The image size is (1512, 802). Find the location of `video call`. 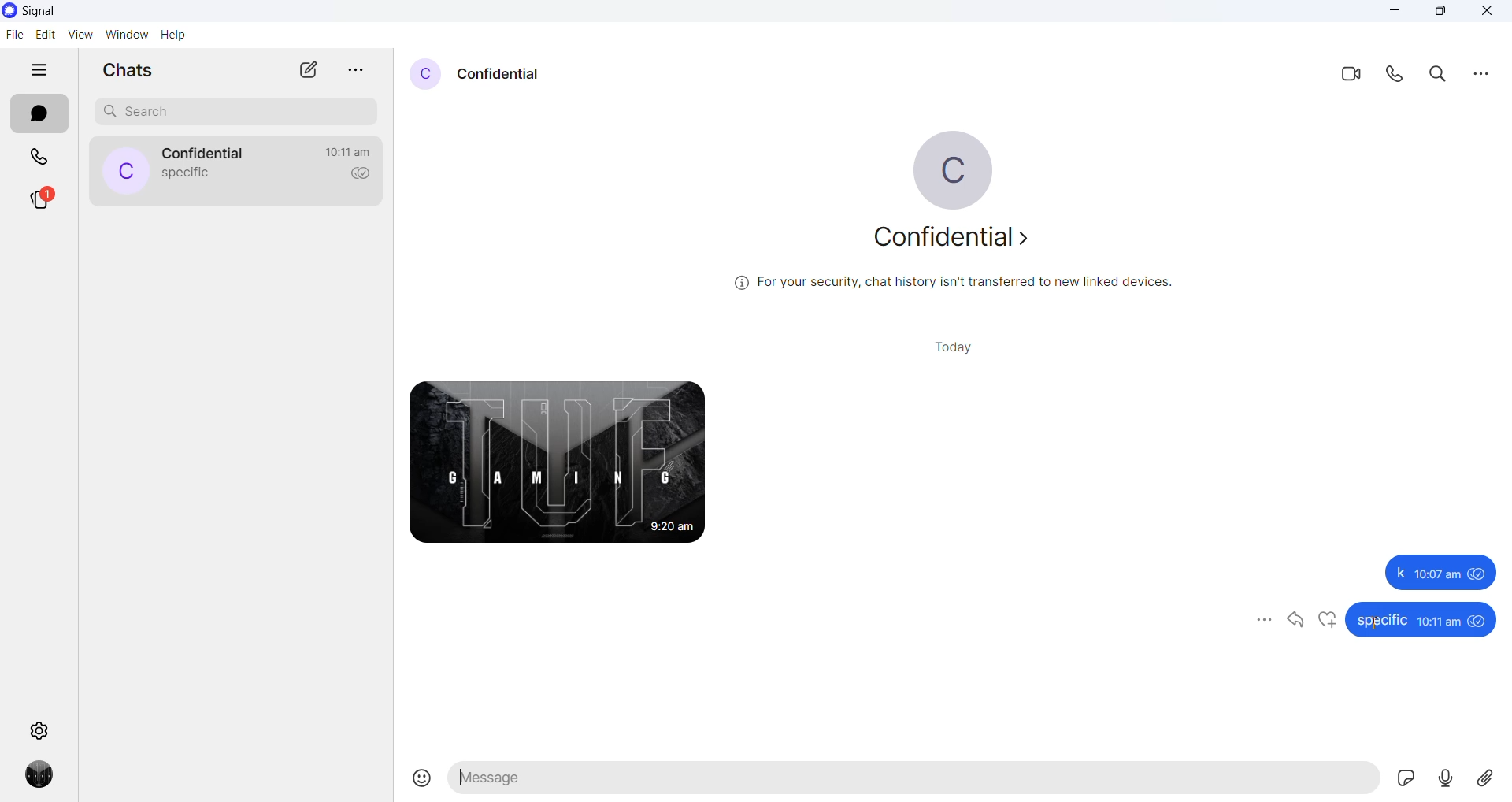

video call is located at coordinates (1348, 75).